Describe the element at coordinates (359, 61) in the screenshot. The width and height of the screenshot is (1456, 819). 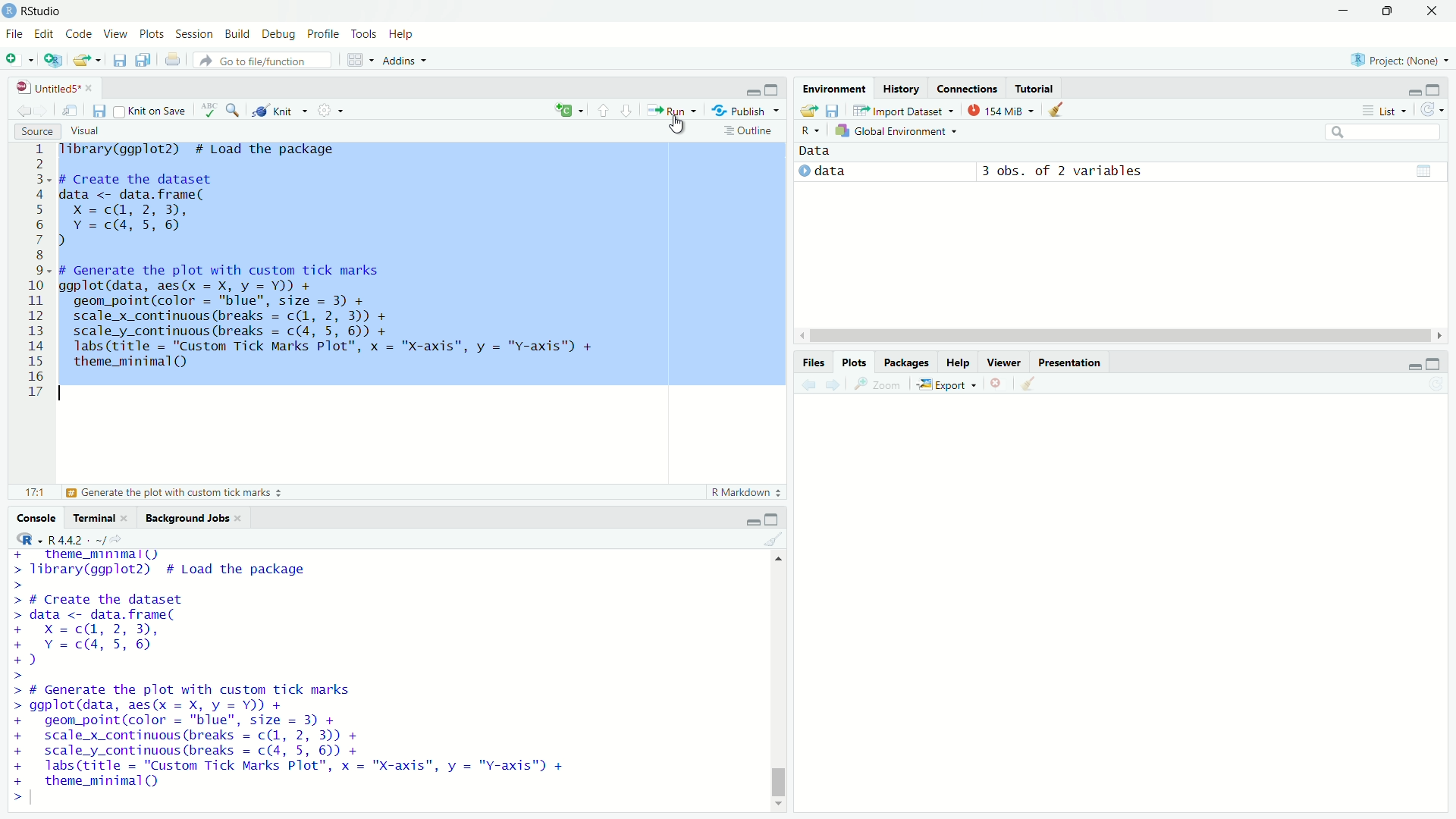
I see `workspace panes` at that location.